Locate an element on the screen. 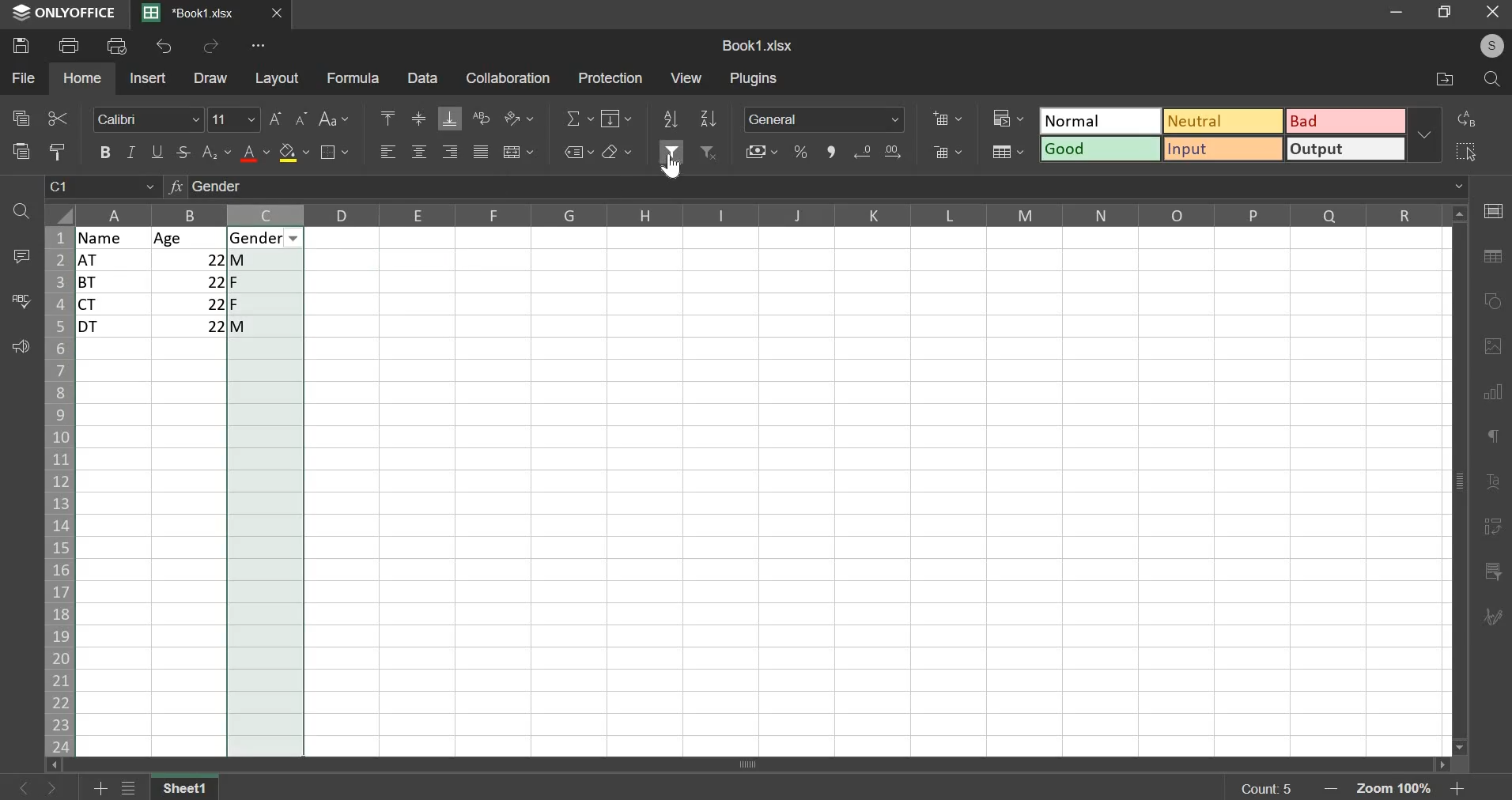 The width and height of the screenshot is (1512, 800). font size is located at coordinates (235, 119).